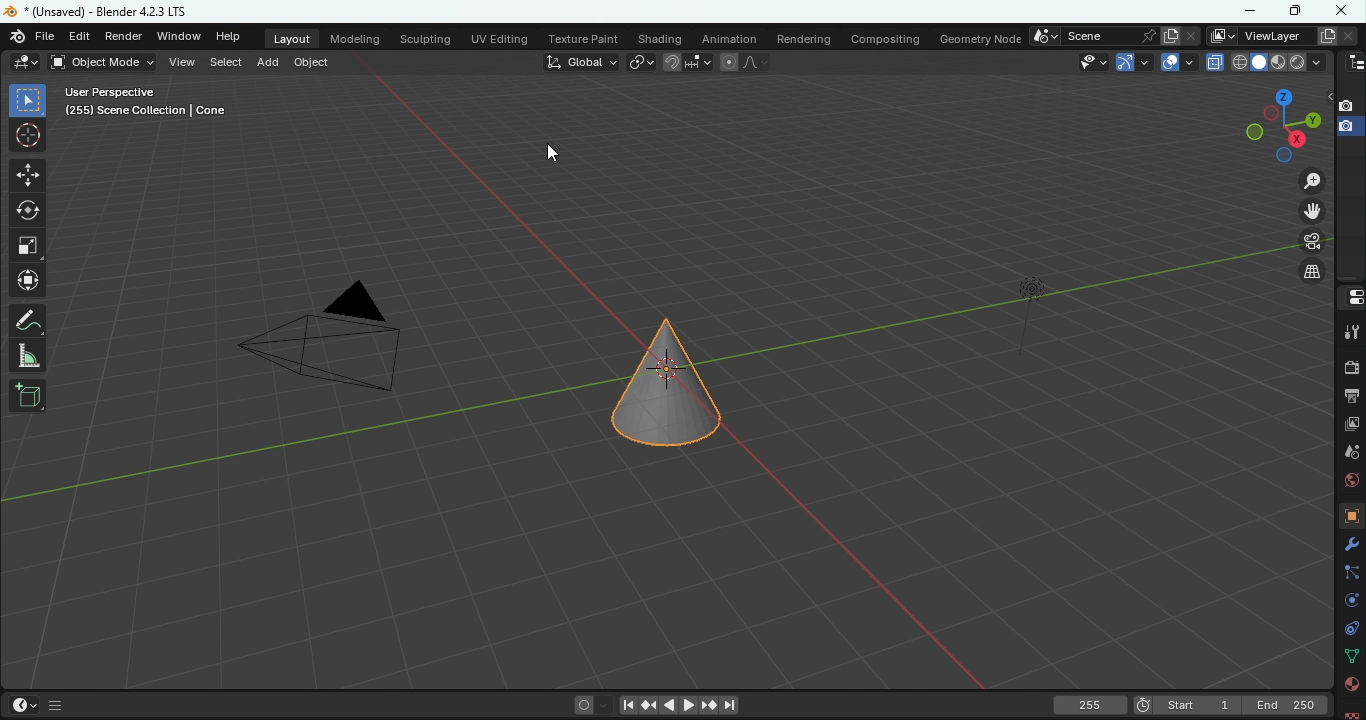  What do you see at coordinates (1348, 35) in the screenshot?
I see `Remove view layer` at bounding box center [1348, 35].